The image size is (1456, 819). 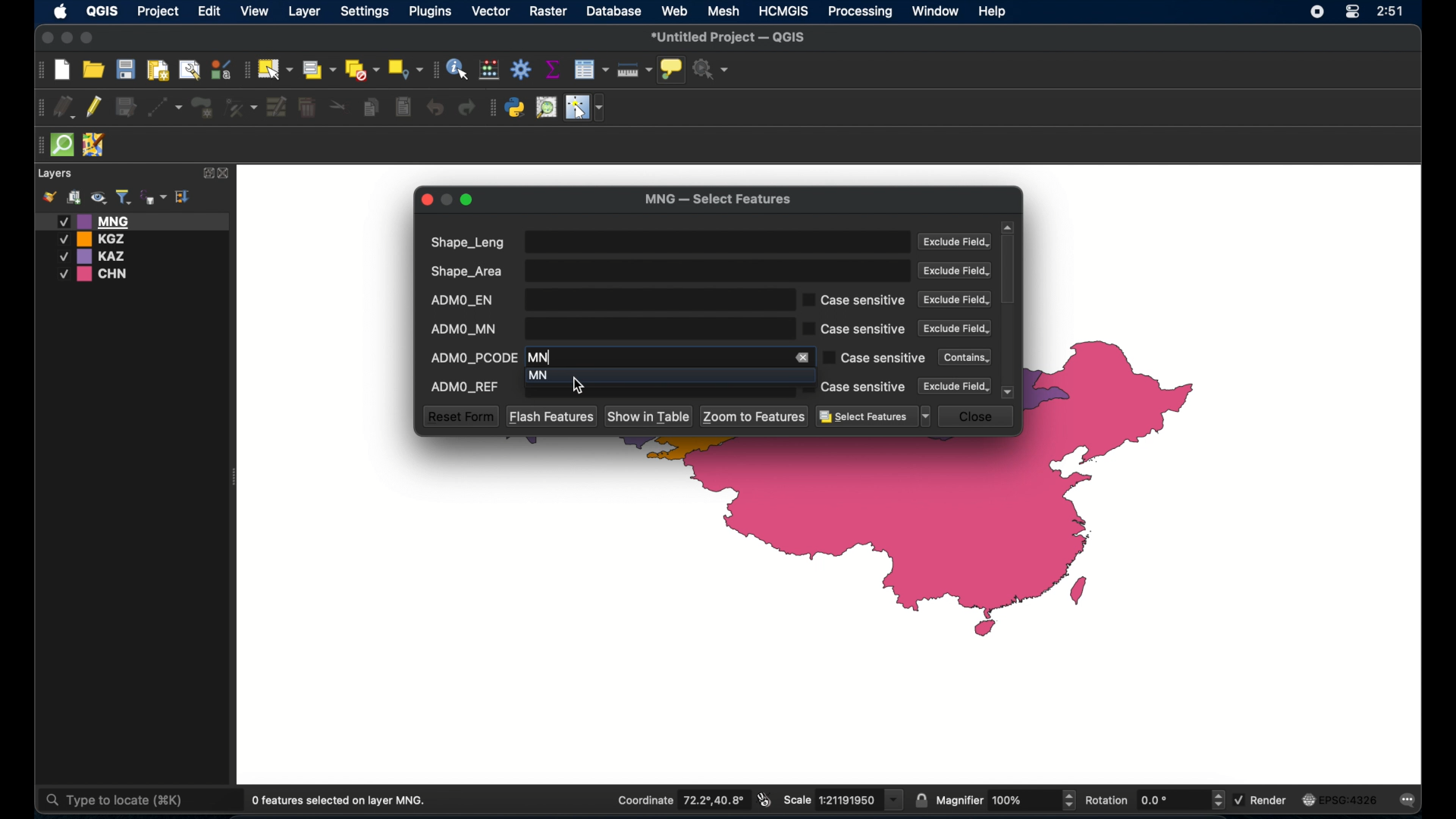 What do you see at coordinates (955, 328) in the screenshot?
I see `exclude field` at bounding box center [955, 328].